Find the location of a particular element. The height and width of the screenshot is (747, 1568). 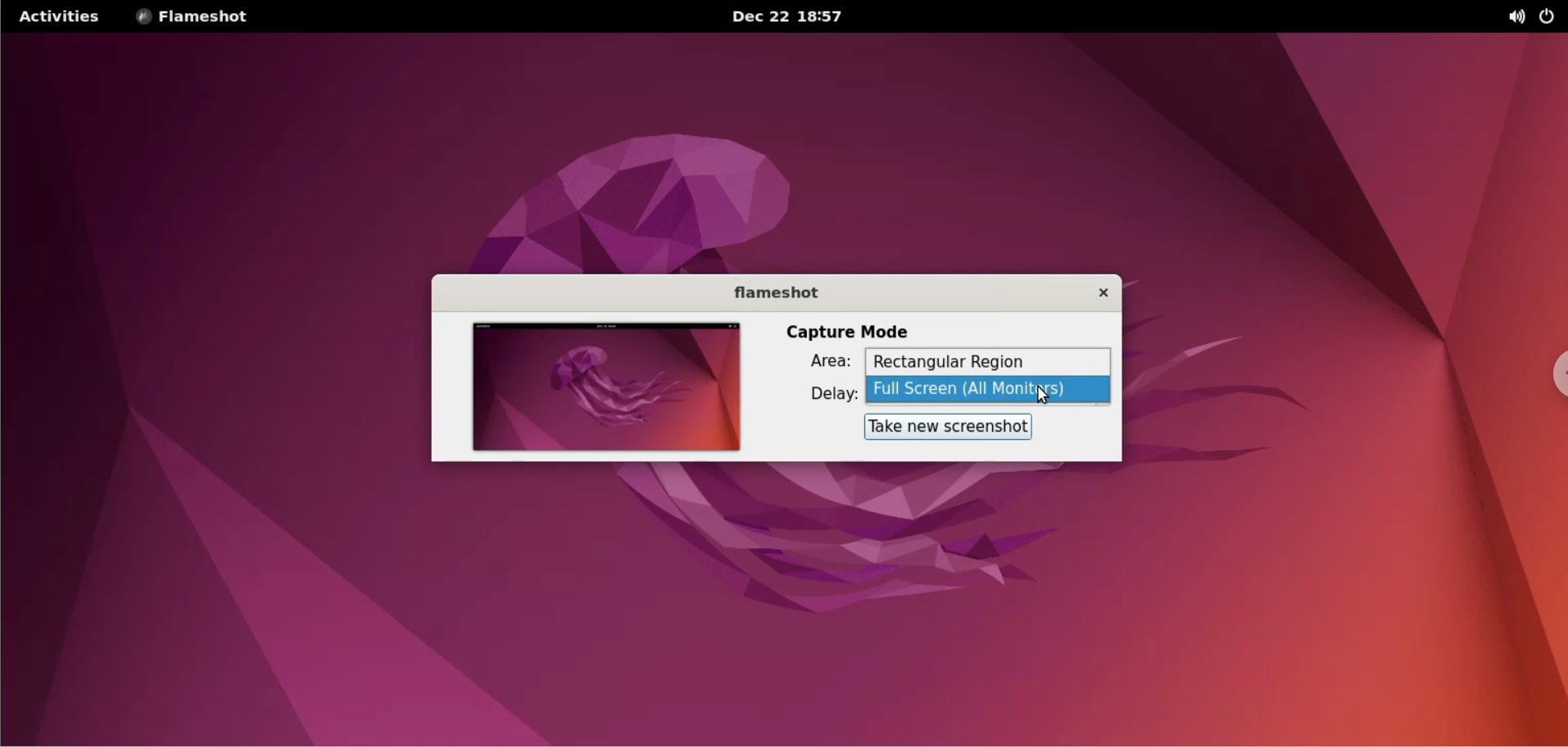

flameshot  is located at coordinates (766, 292).